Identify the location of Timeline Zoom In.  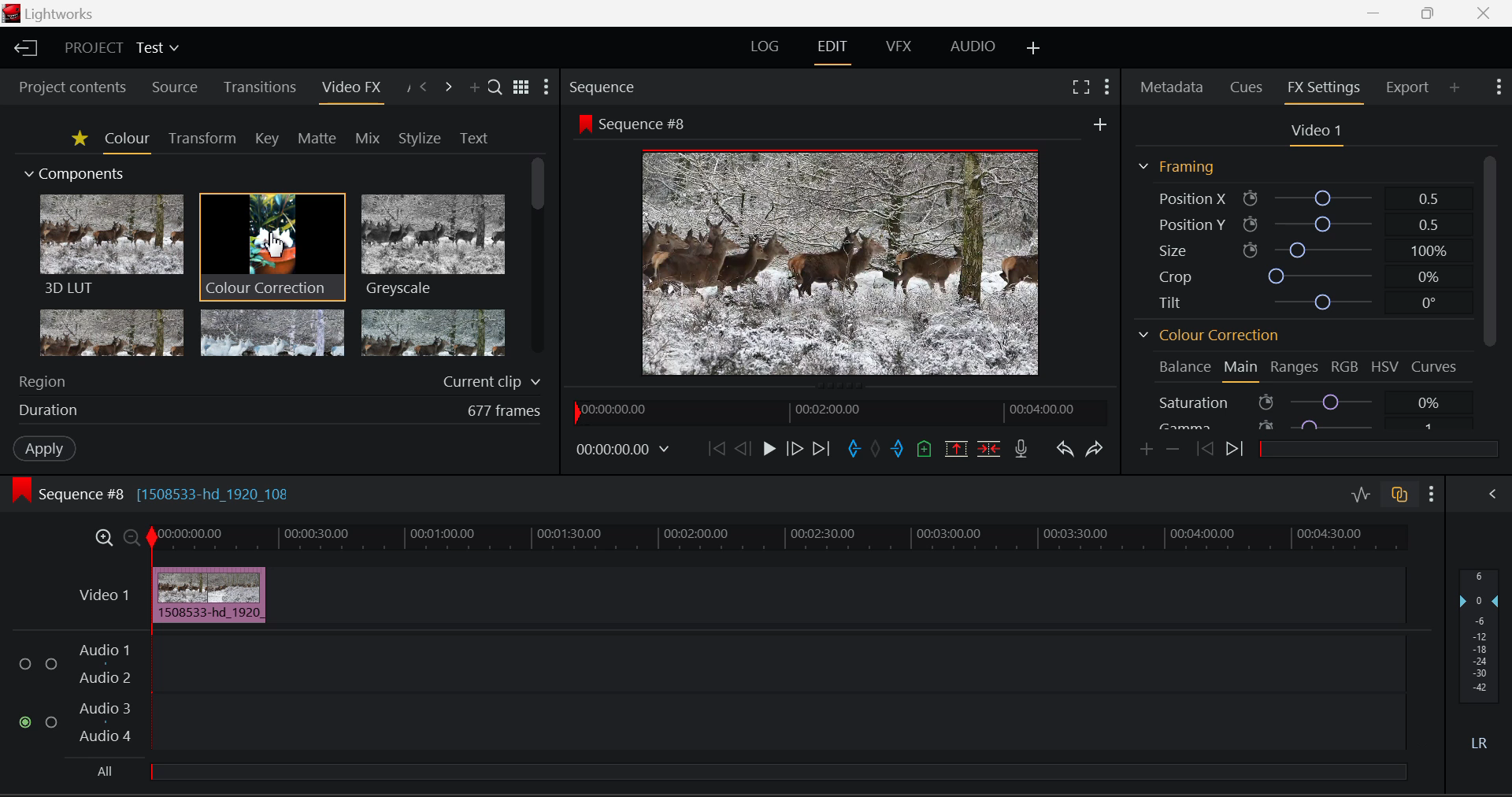
(103, 539).